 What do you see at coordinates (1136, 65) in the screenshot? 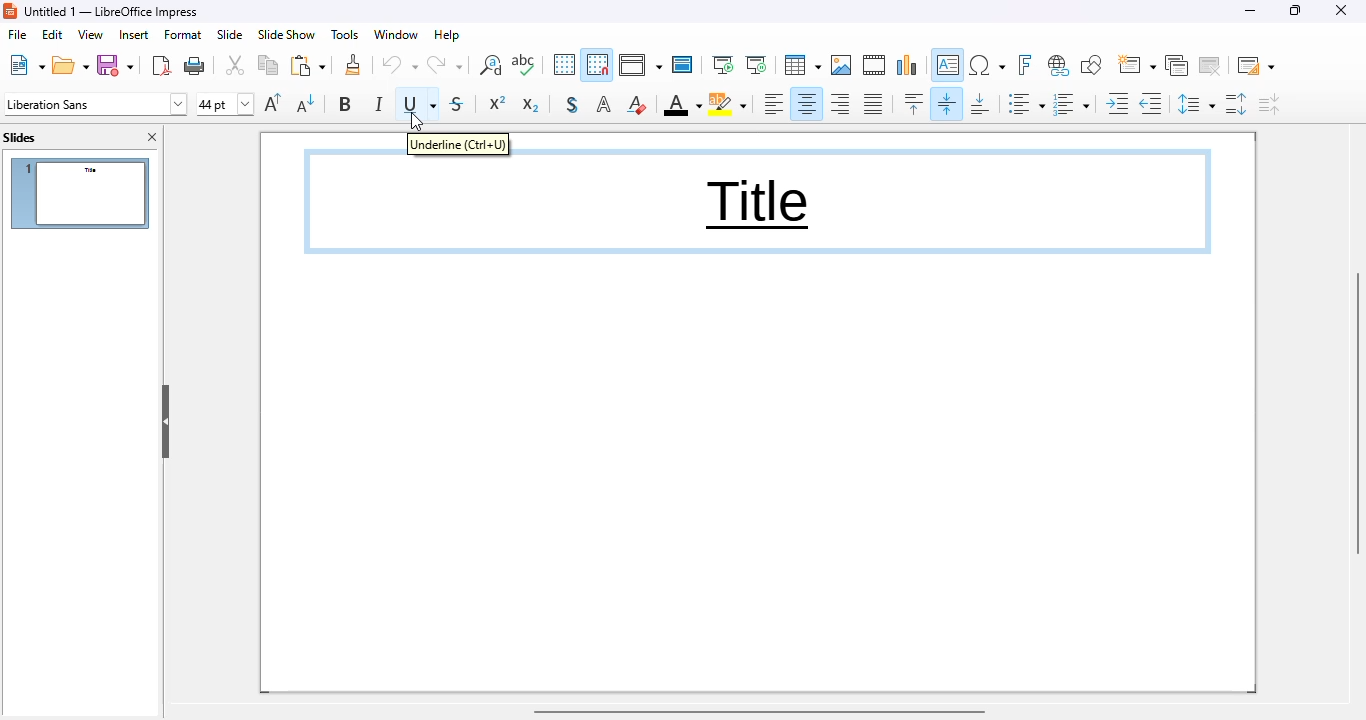
I see `new slide` at bounding box center [1136, 65].